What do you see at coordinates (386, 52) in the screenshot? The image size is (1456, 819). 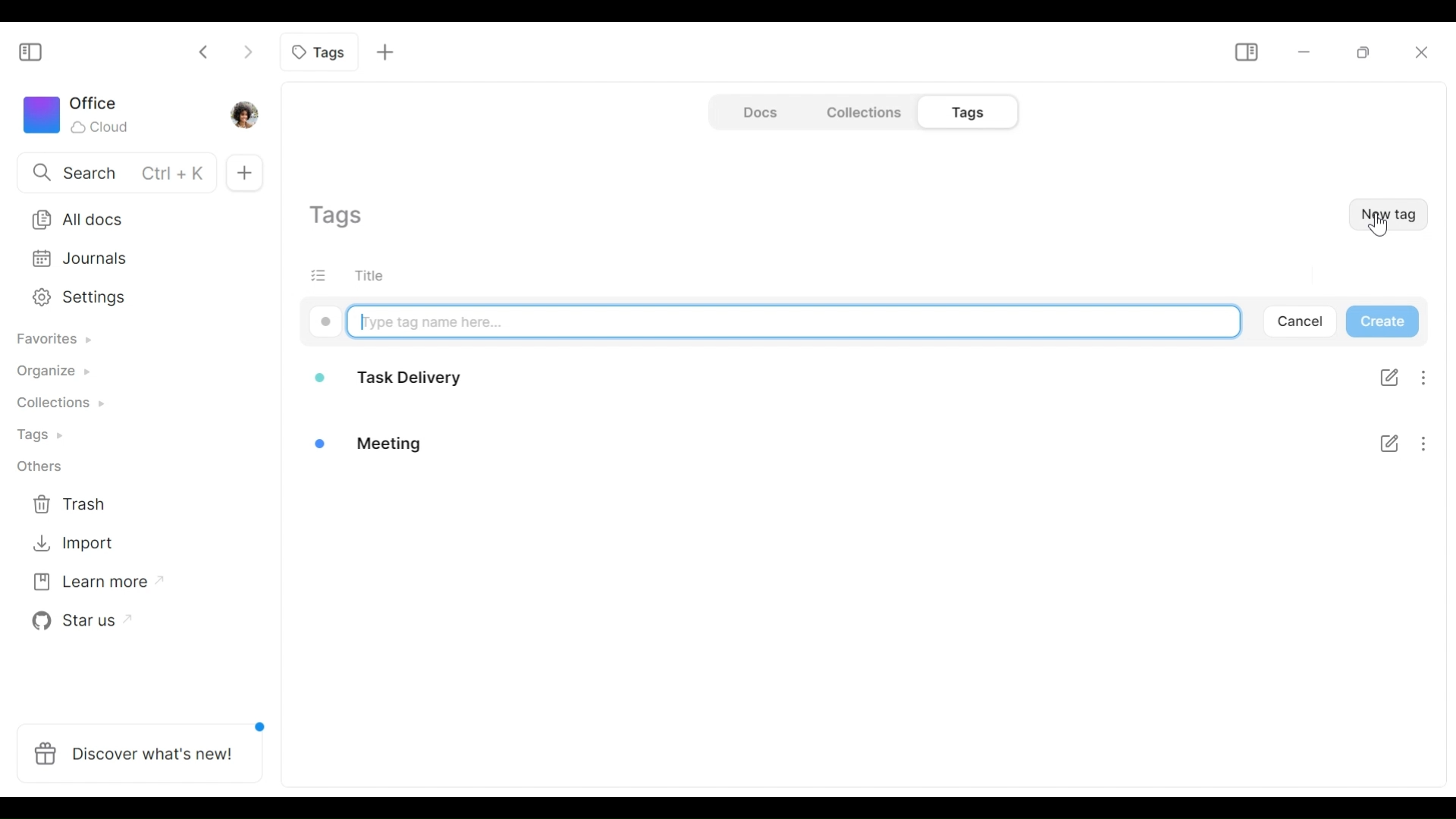 I see `Add new` at bounding box center [386, 52].